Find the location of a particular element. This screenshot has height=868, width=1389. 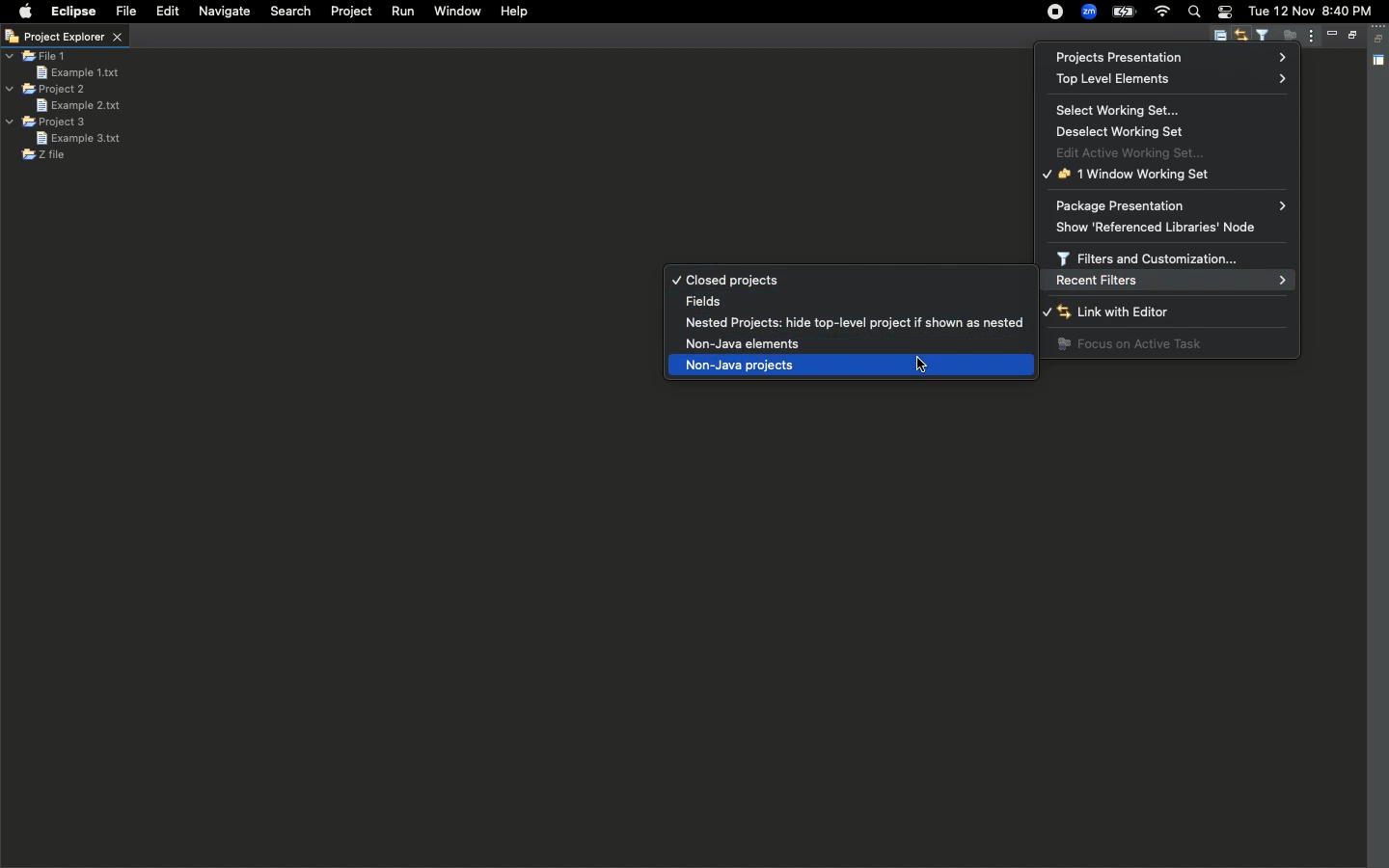

Shared area is located at coordinates (1380, 62).